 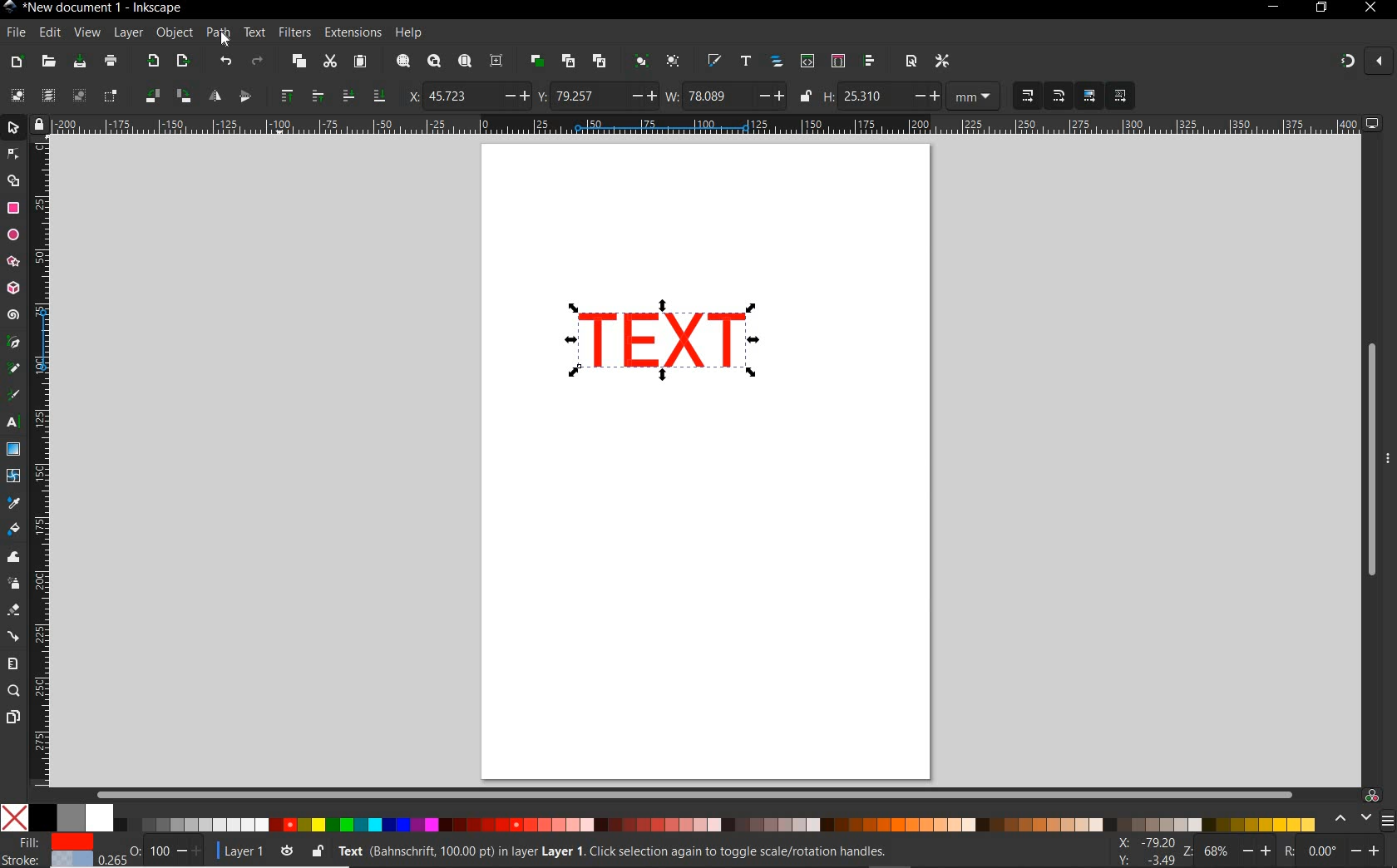 I want to click on ERASER TOOL, so click(x=15, y=610).